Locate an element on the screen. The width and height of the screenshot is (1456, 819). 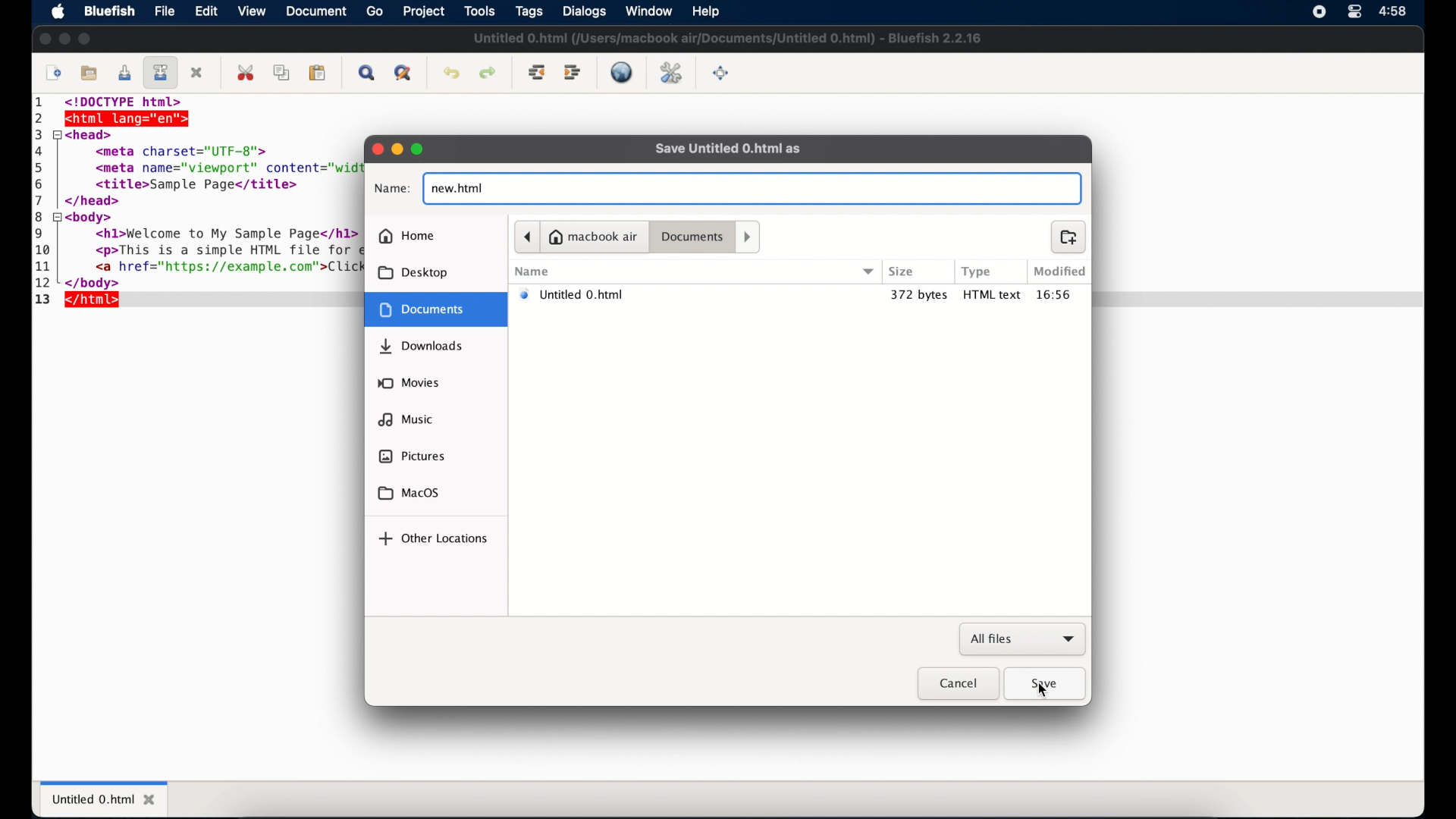
home is located at coordinates (406, 236).